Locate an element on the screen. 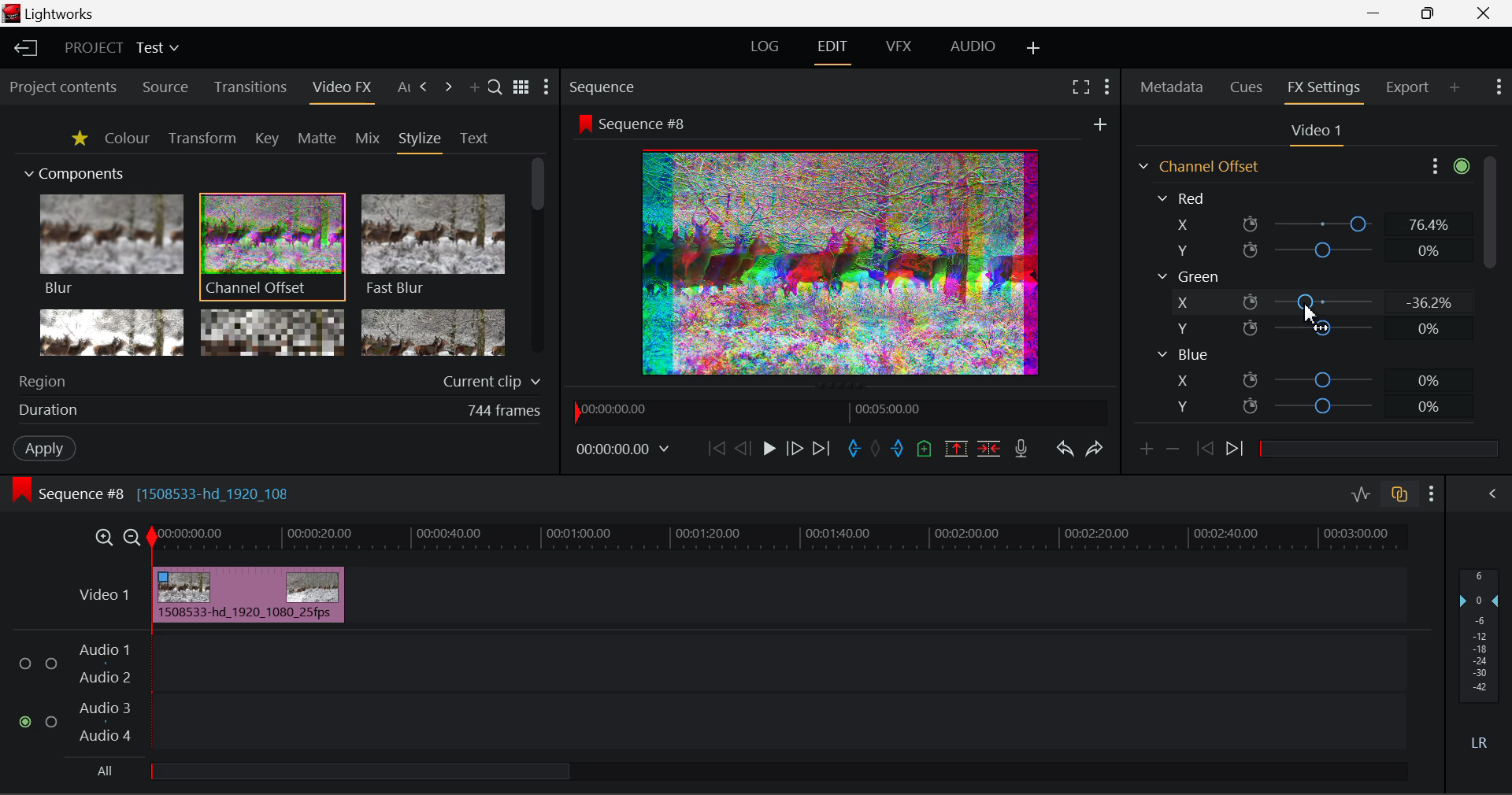 The height and width of the screenshot is (795, 1512). Effect Applied is located at coordinates (250, 592).